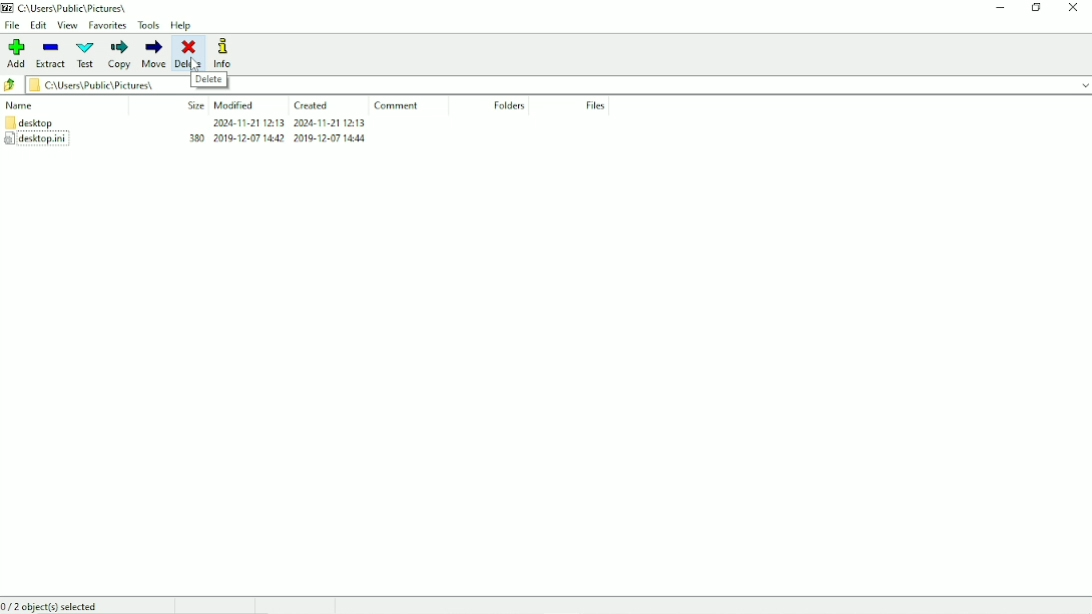 The width and height of the screenshot is (1092, 614). I want to click on Modified, so click(235, 105).